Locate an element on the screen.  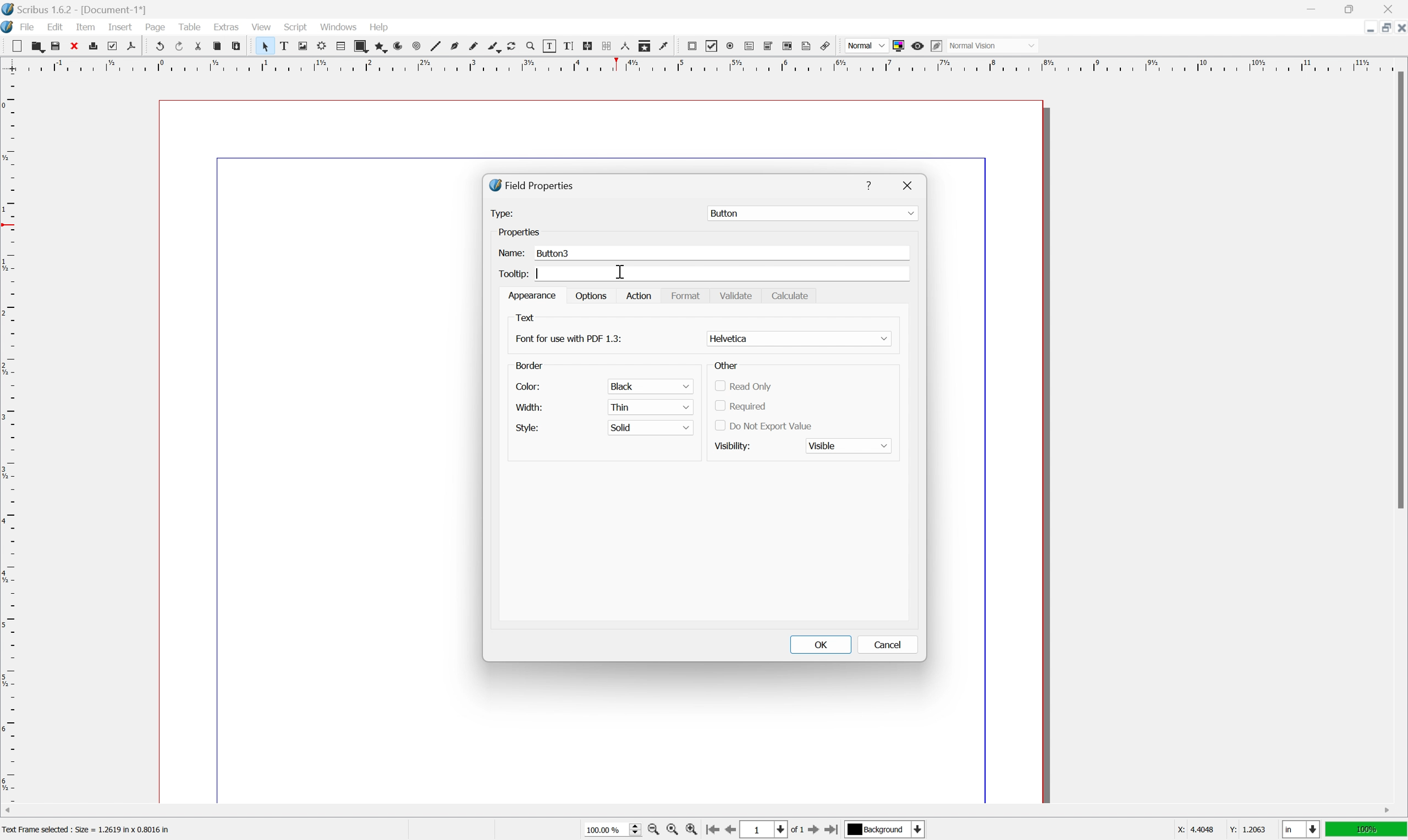
pdf checkbox is located at coordinates (712, 46).